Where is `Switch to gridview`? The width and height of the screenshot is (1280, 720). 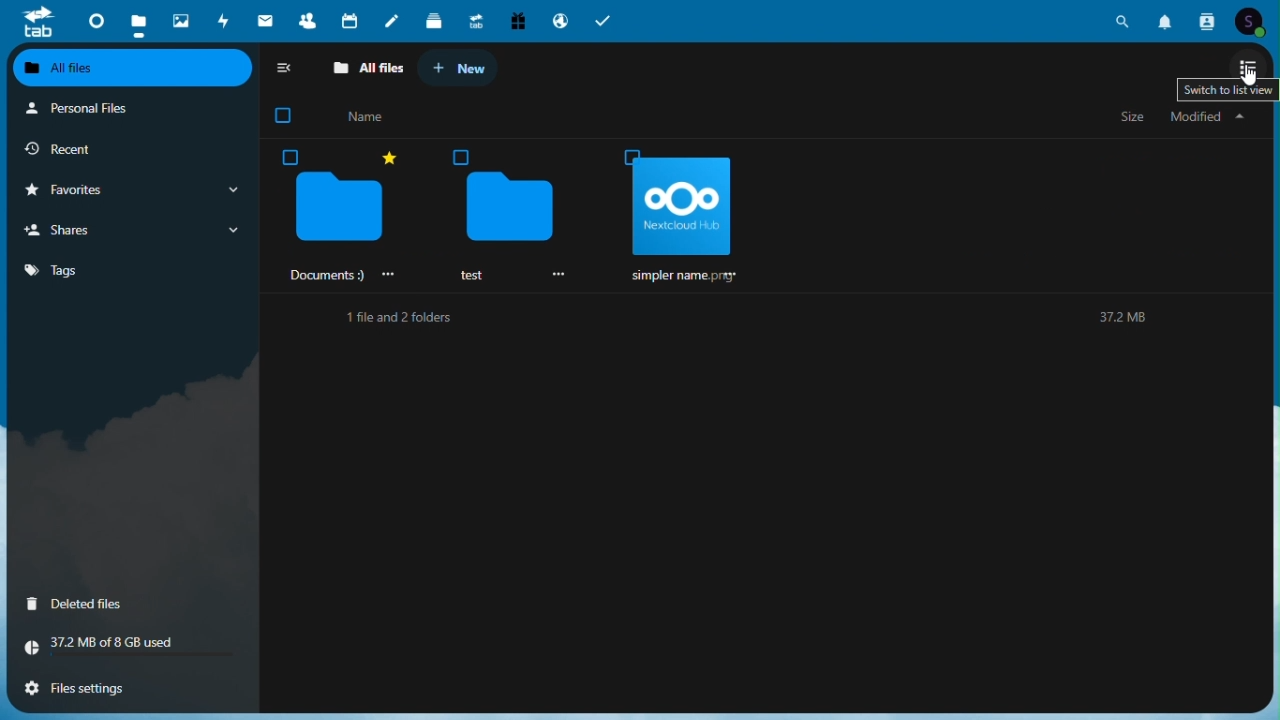 Switch to gridview is located at coordinates (1249, 72).